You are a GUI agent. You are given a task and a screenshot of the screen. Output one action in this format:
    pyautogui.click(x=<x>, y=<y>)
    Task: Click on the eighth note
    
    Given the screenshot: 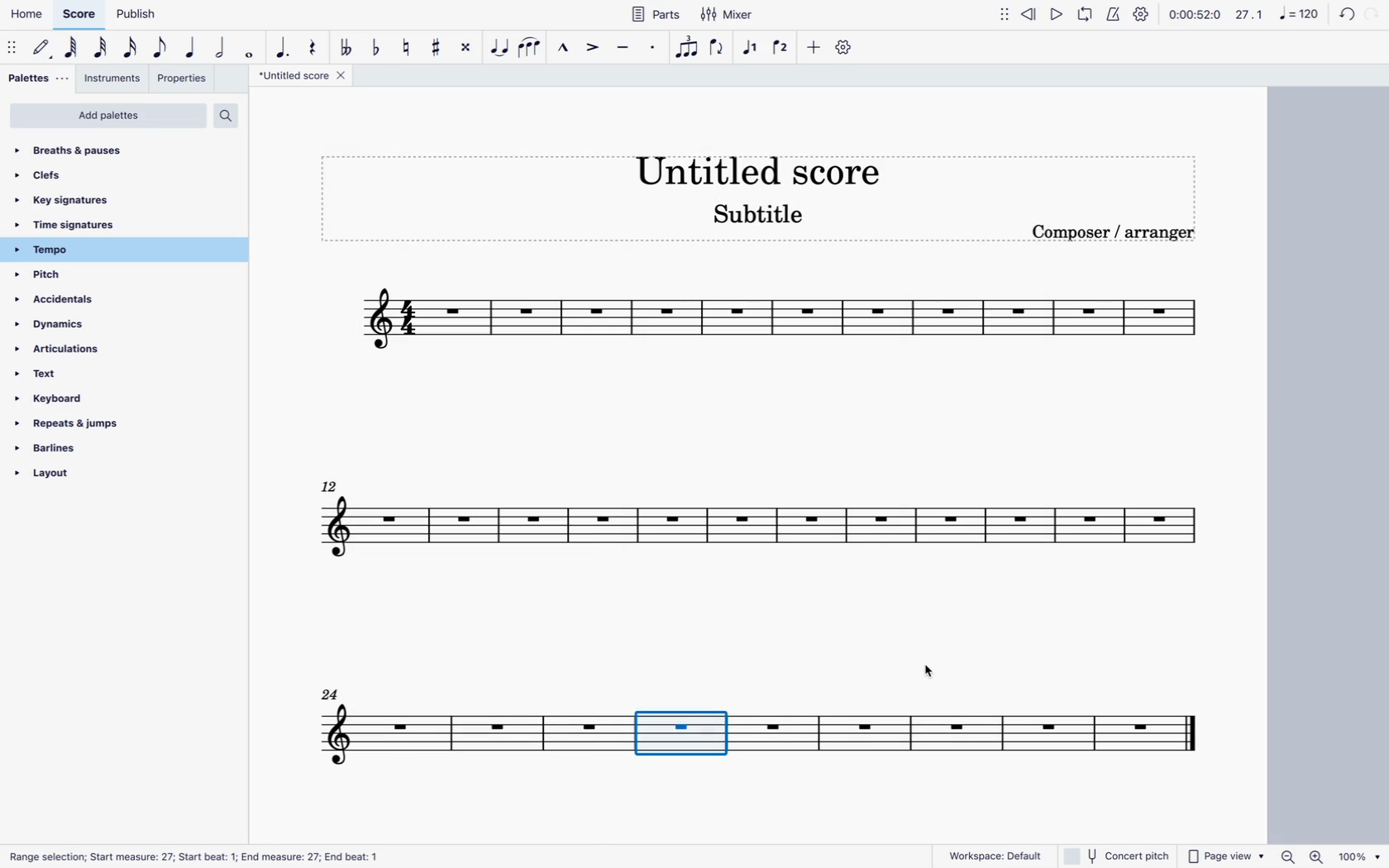 What is the action you would take?
    pyautogui.click(x=161, y=48)
    